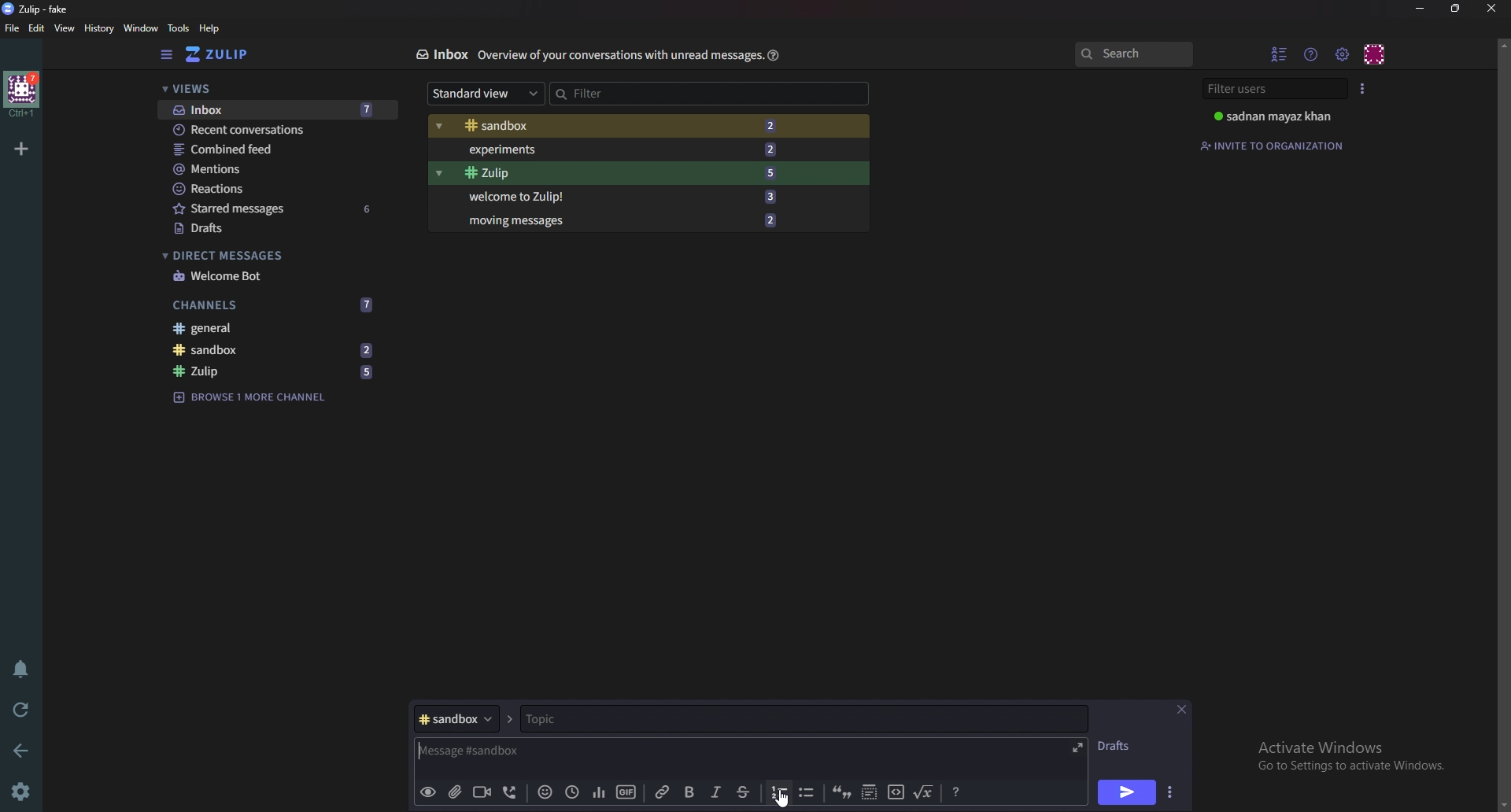  What do you see at coordinates (925, 792) in the screenshot?
I see `Math` at bounding box center [925, 792].